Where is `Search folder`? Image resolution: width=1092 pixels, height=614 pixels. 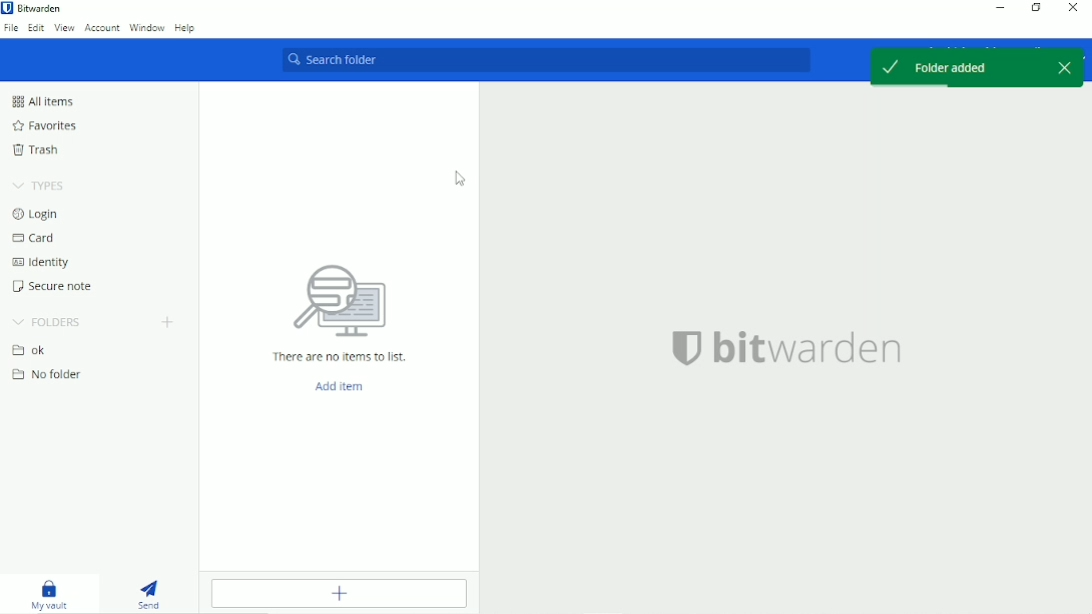 Search folder is located at coordinates (548, 60).